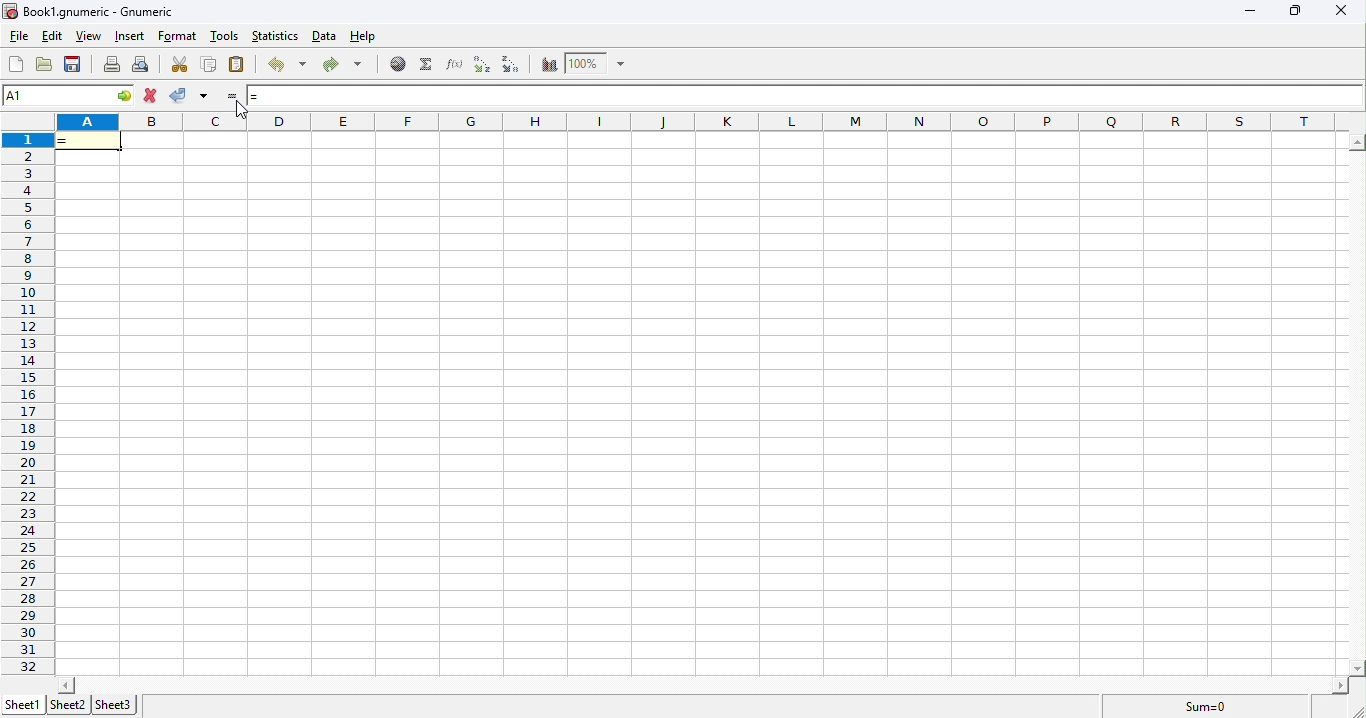  Describe the element at coordinates (601, 63) in the screenshot. I see `zoom` at that location.